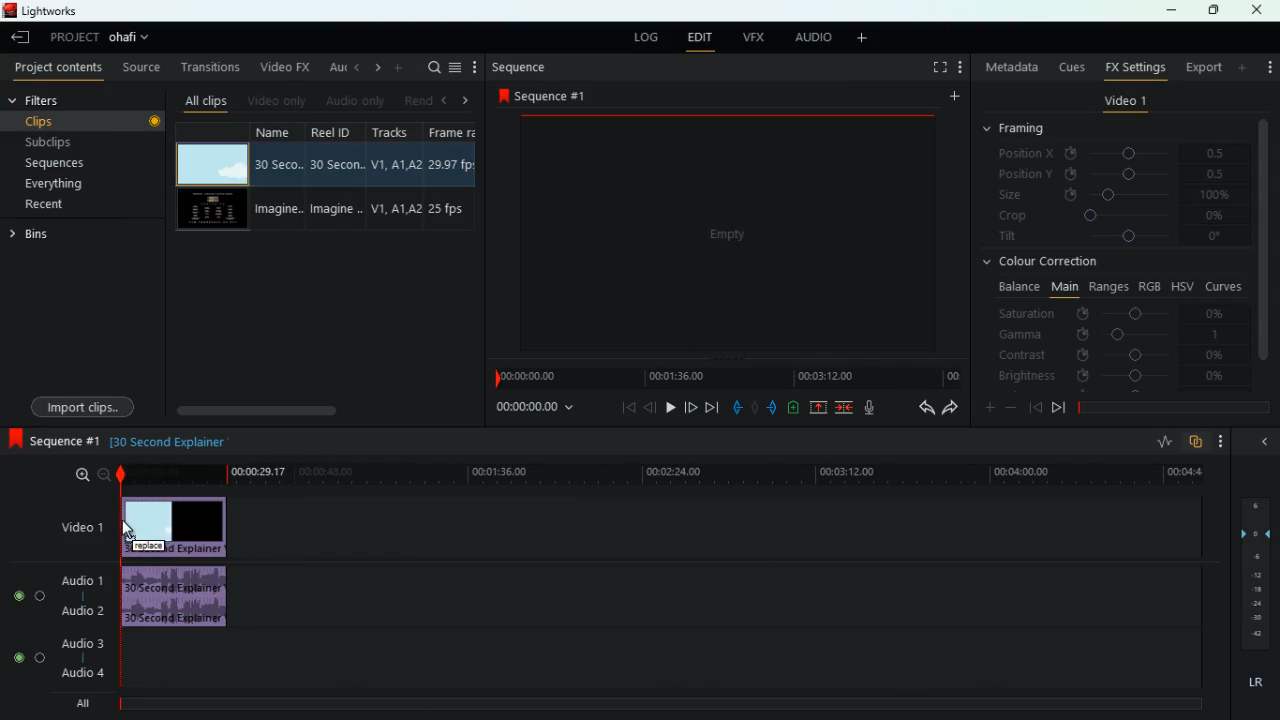 The height and width of the screenshot is (720, 1280). Describe the element at coordinates (455, 67) in the screenshot. I see `menu` at that location.